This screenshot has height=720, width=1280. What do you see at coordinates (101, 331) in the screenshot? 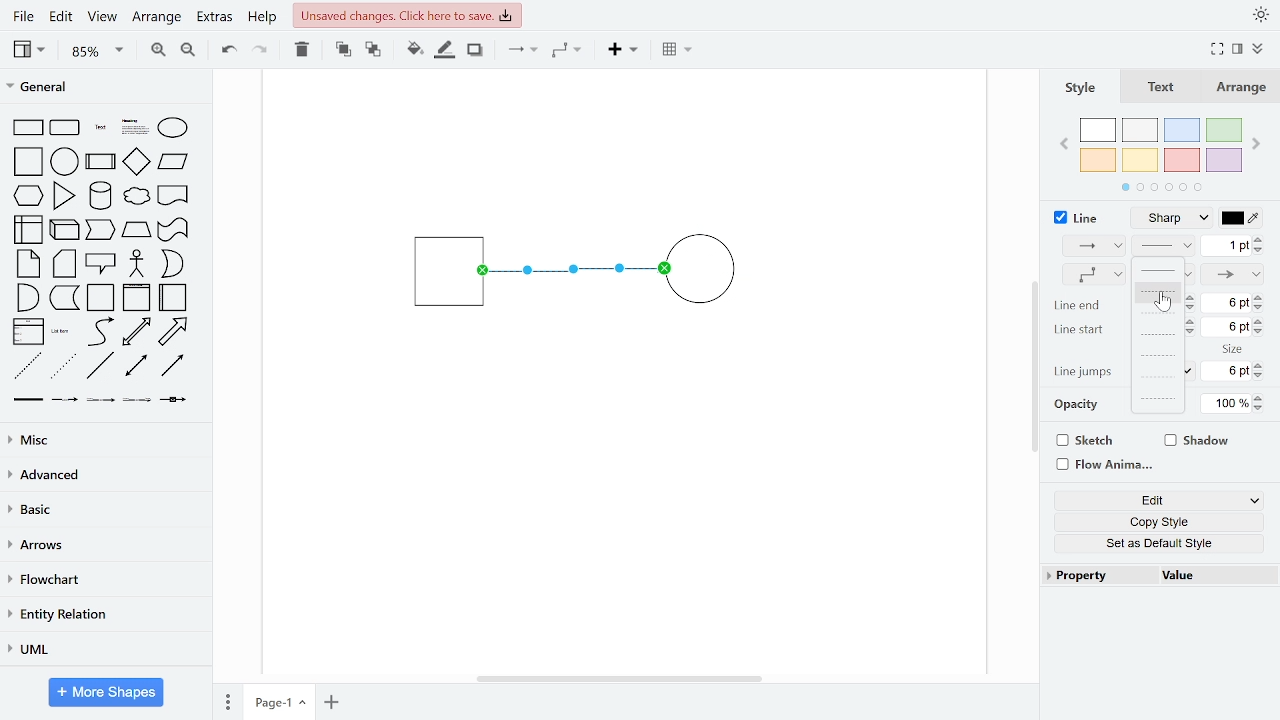
I see `curve` at bounding box center [101, 331].